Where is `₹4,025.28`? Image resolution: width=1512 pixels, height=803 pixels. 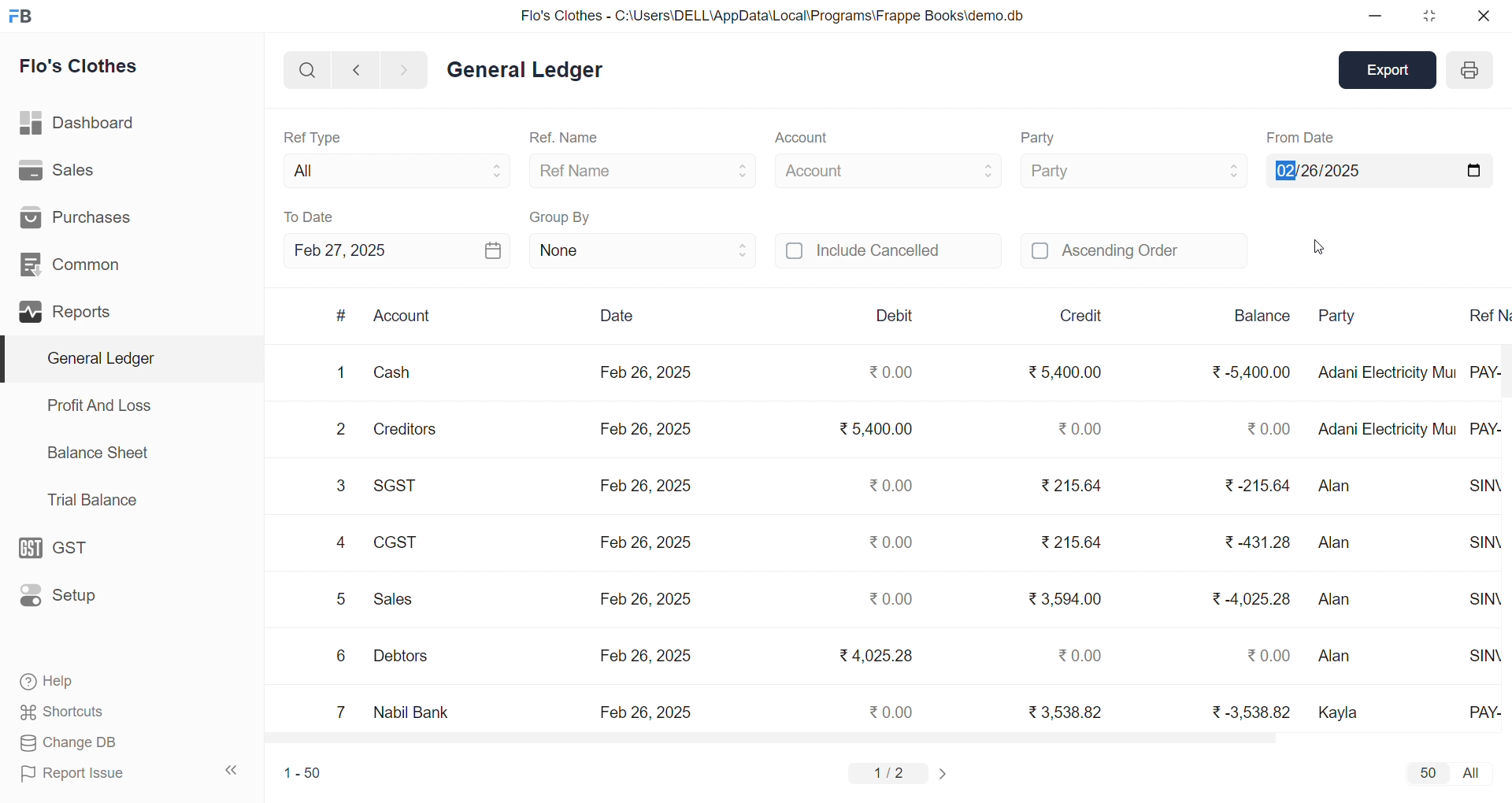
₹4,025.28 is located at coordinates (875, 655).